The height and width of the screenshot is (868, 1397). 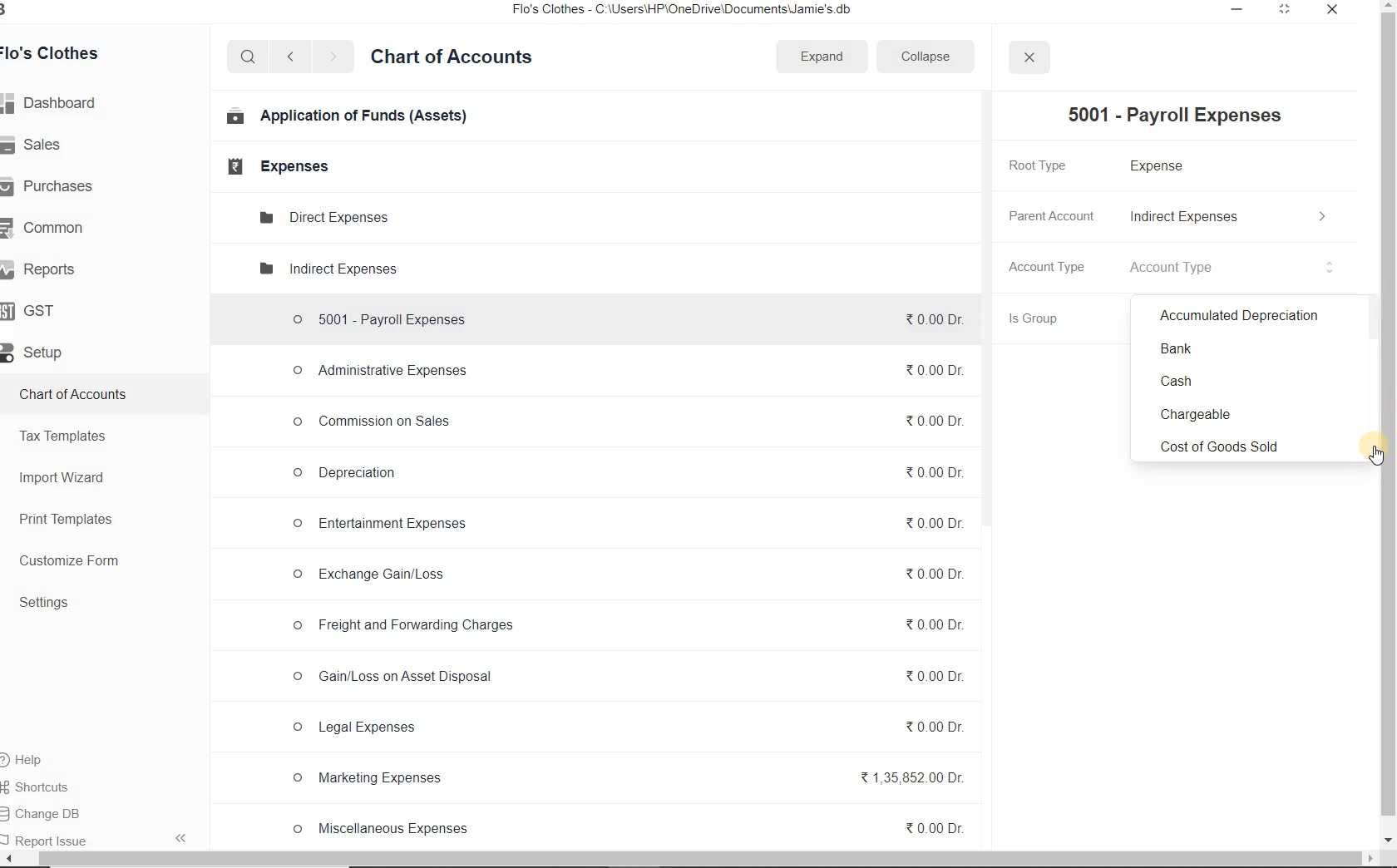 I want to click on Reports, so click(x=46, y=267).